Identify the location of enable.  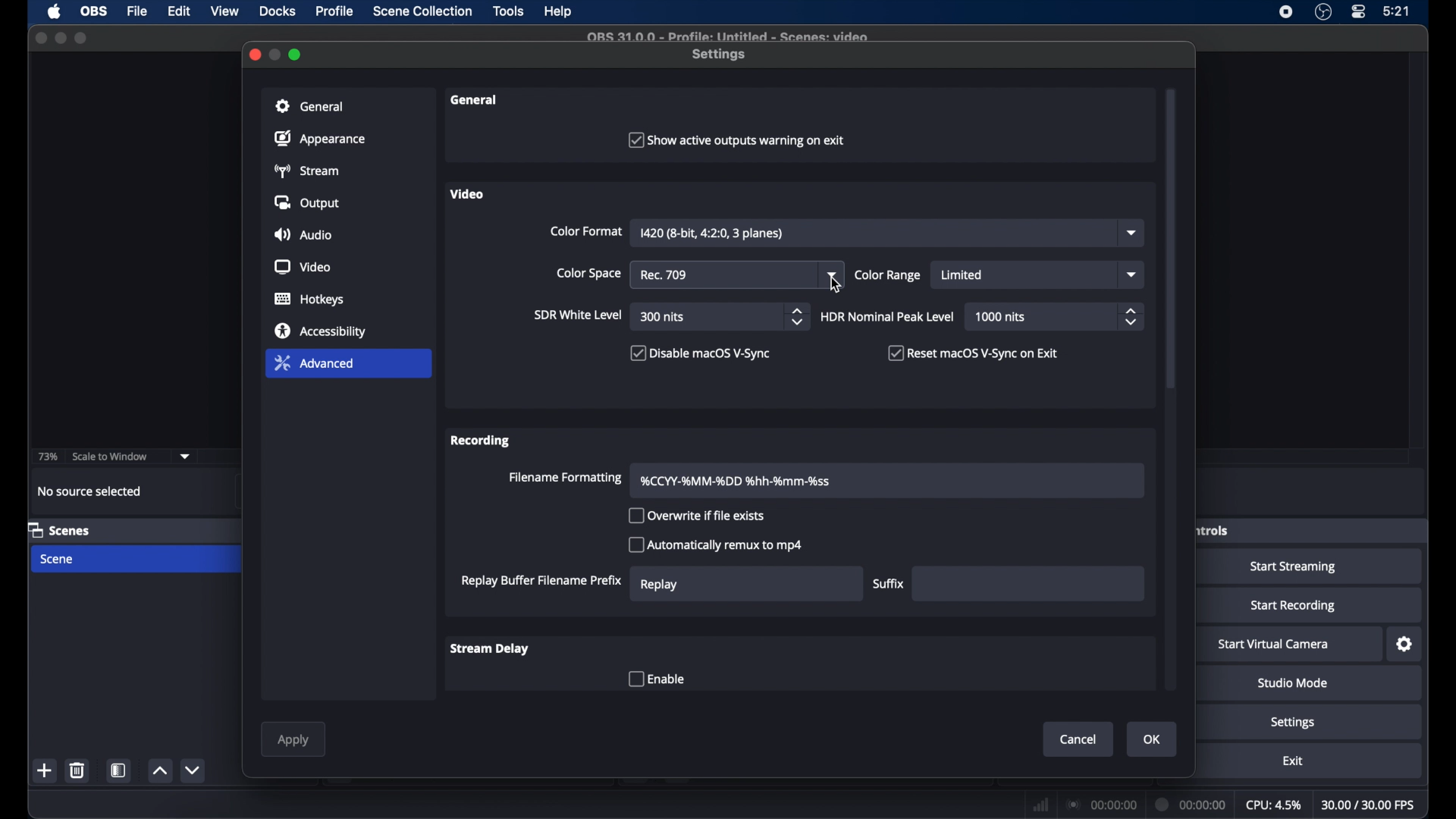
(657, 678).